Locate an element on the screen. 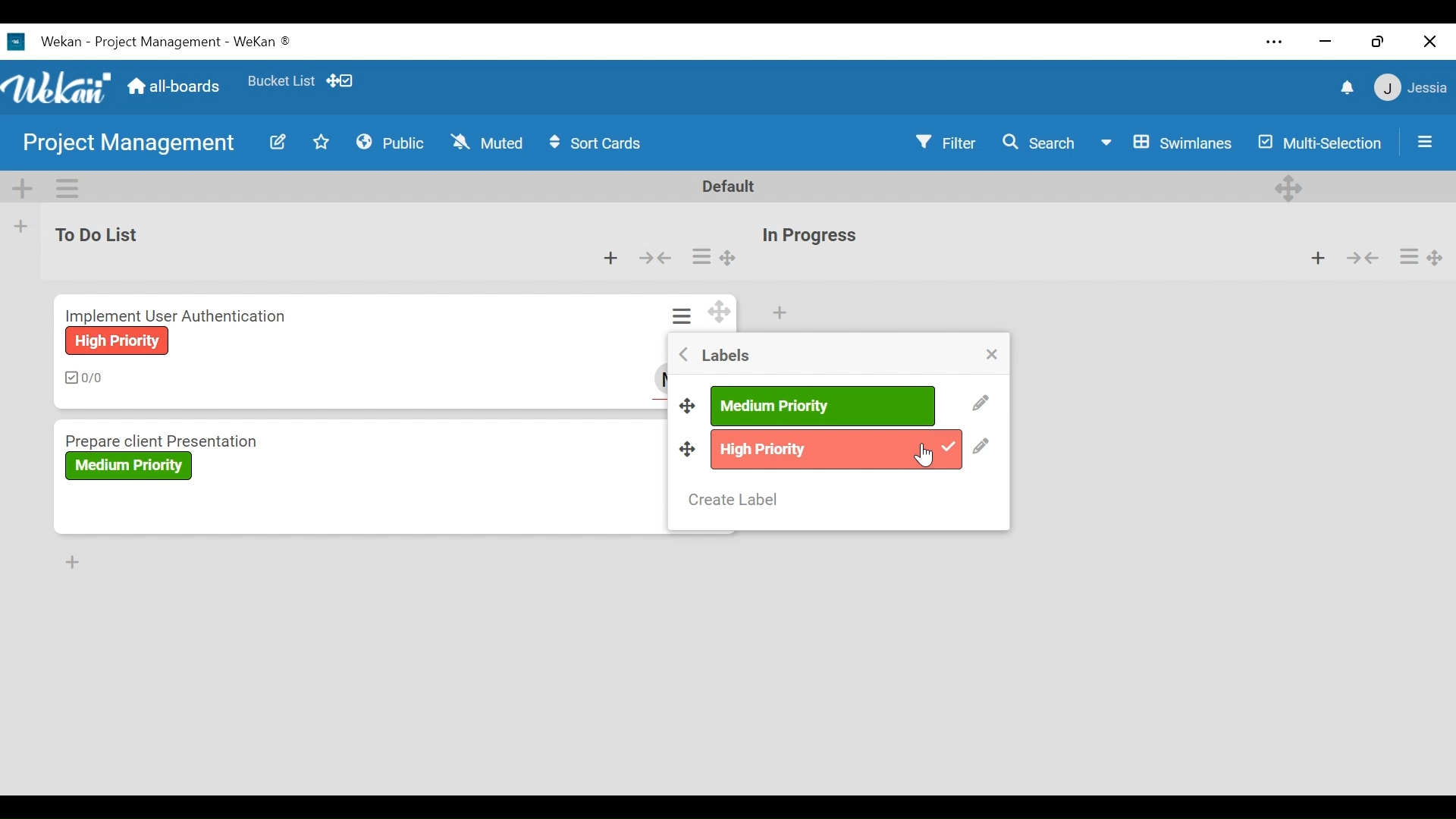 The image size is (1456, 819). label is located at coordinates (119, 341).